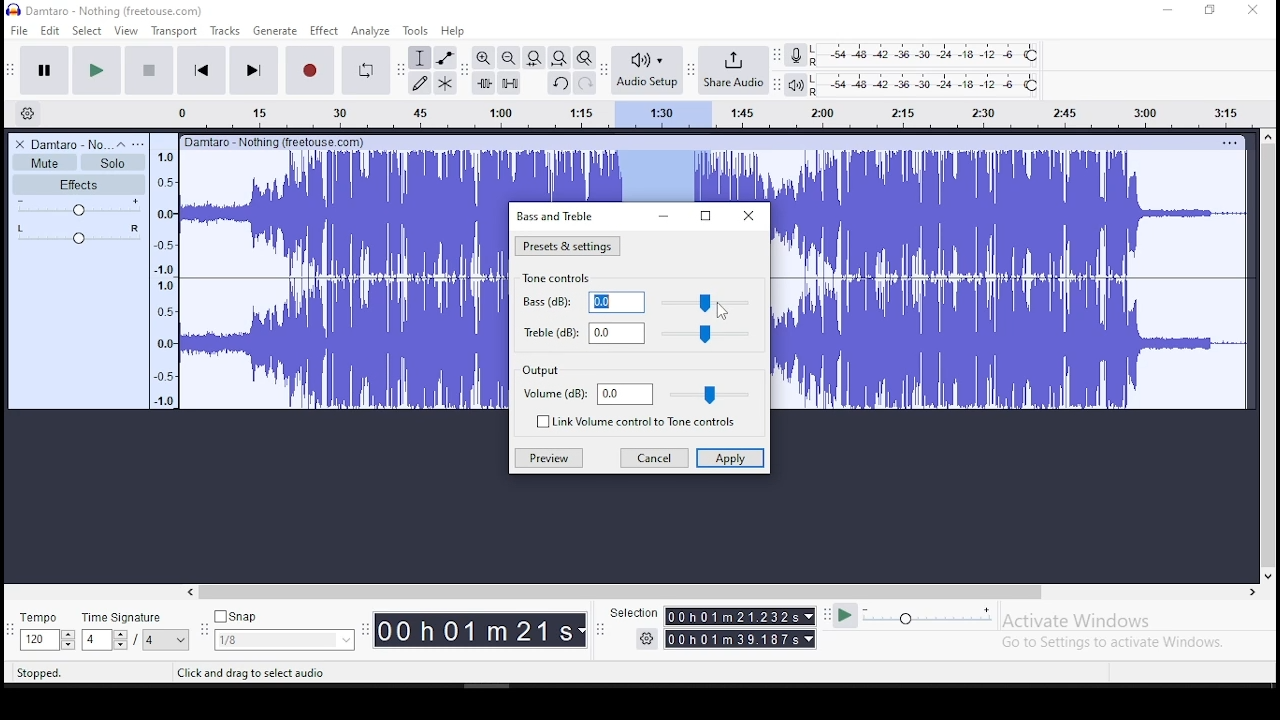 The height and width of the screenshot is (720, 1280). Describe the element at coordinates (825, 615) in the screenshot. I see `` at that location.